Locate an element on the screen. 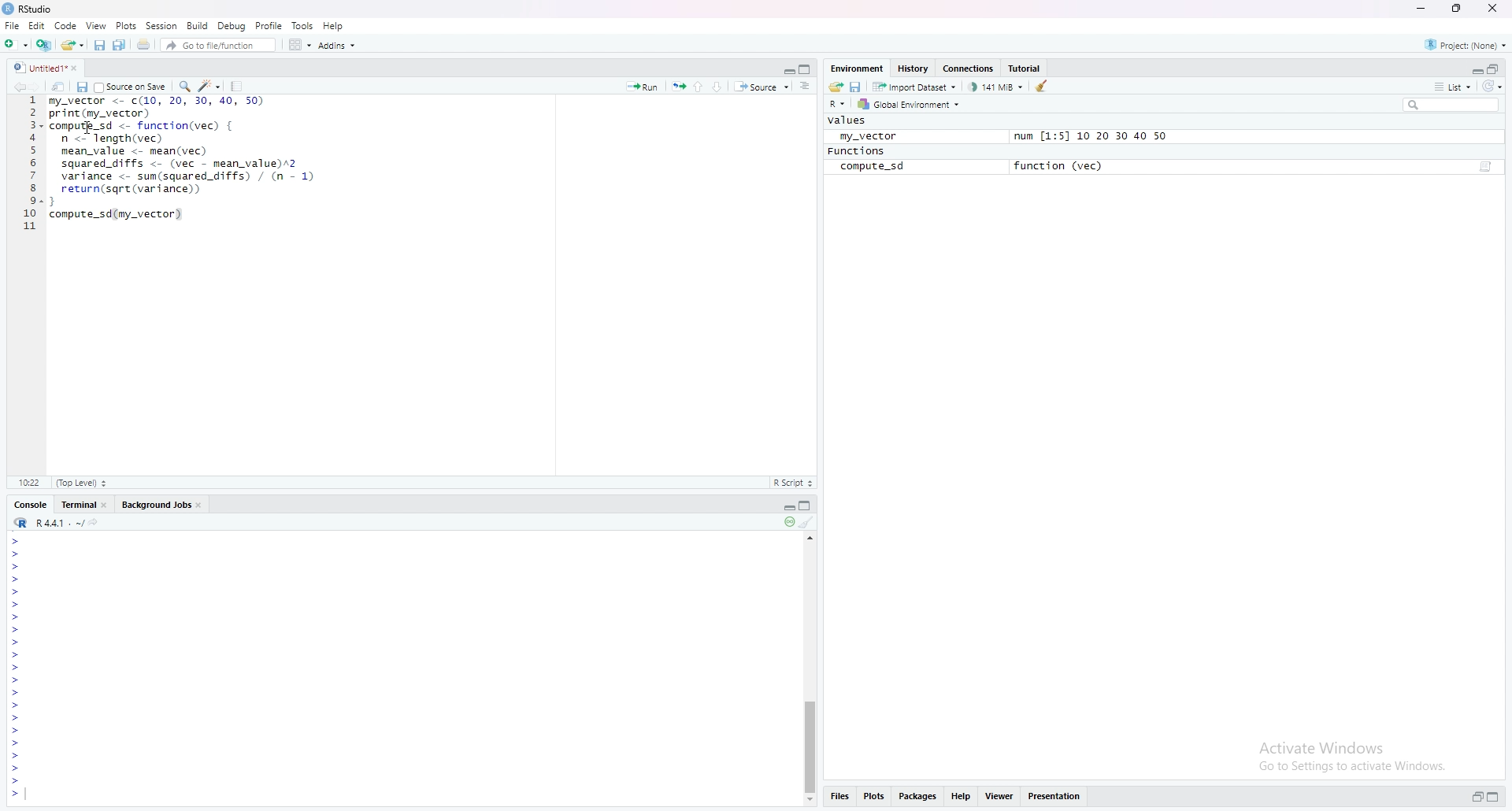 The height and width of the screenshot is (811, 1512). computfe_sd <- function(vec) {
n <= Tength(vec)
mean_value <- mean(vec)
squared_diffs <- (vec - mean_value)r2
variance <- sum(squared_diffs) / (n - 1)
return(sqre (variance)

3

compute_sd(my_vector) is located at coordinates (184, 176).